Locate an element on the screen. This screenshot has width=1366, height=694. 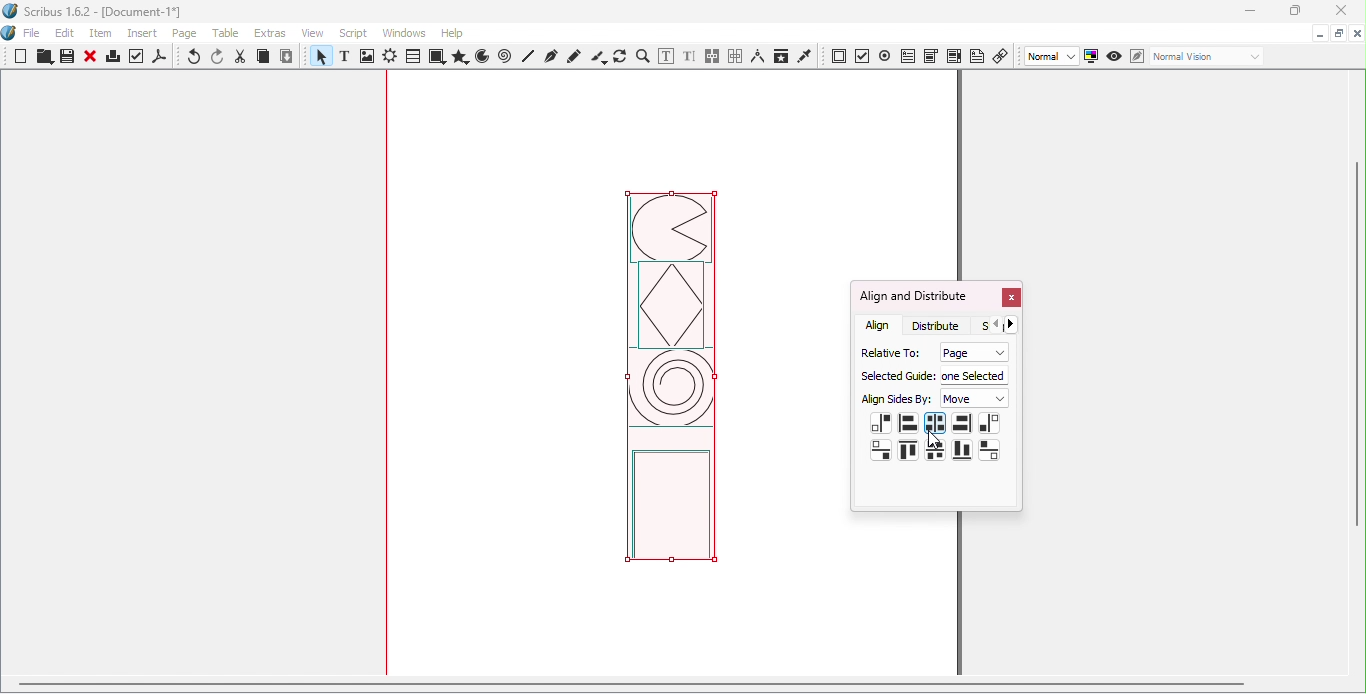
Render frame is located at coordinates (390, 58).